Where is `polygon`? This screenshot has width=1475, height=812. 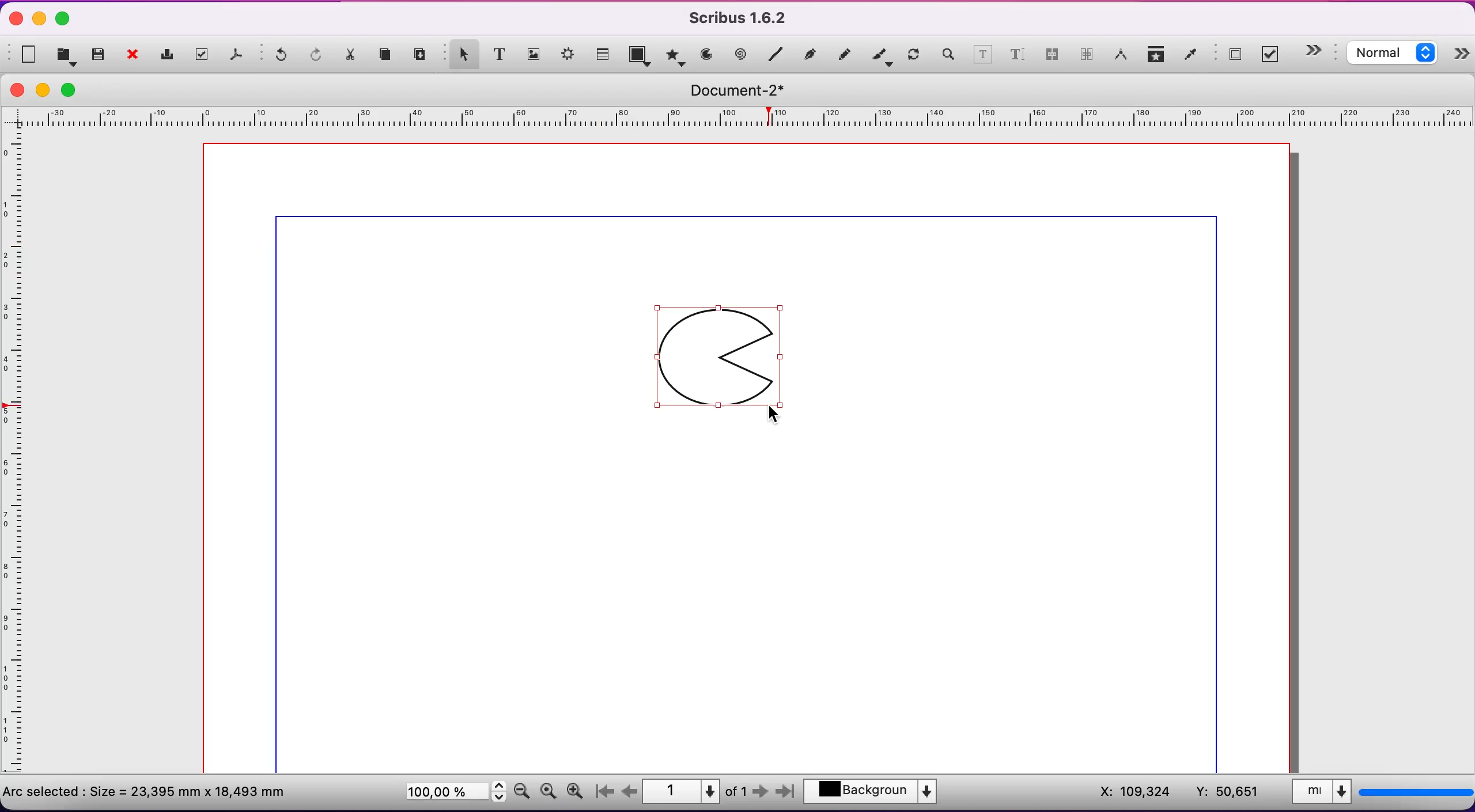 polygon is located at coordinates (674, 55).